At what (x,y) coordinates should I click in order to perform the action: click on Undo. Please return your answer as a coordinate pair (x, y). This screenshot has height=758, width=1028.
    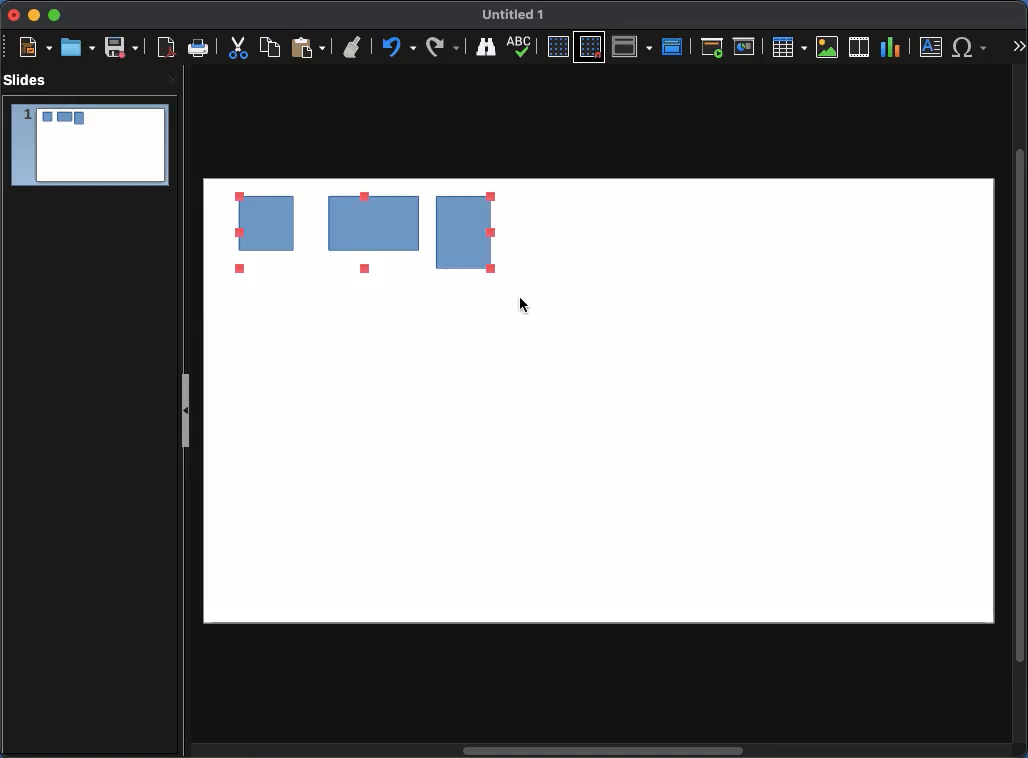
    Looking at the image, I should click on (352, 43).